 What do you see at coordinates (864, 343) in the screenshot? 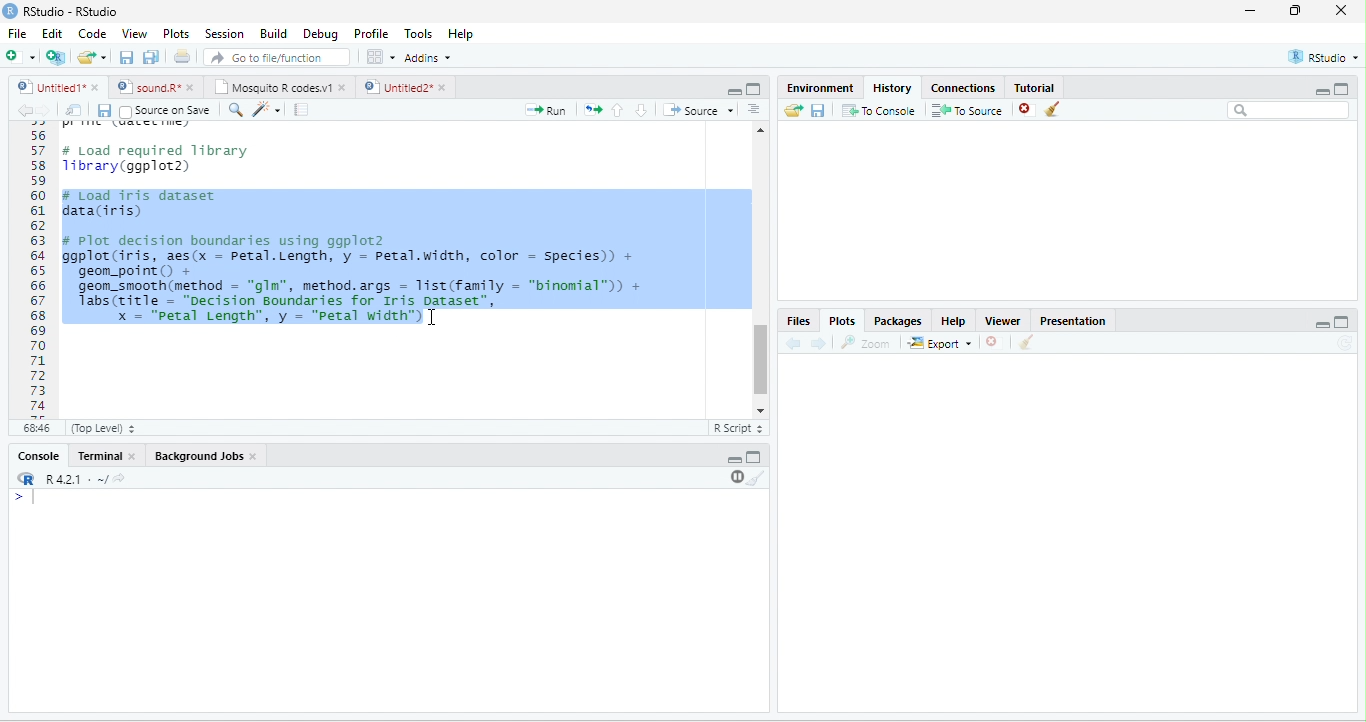
I see `Zoom` at bounding box center [864, 343].